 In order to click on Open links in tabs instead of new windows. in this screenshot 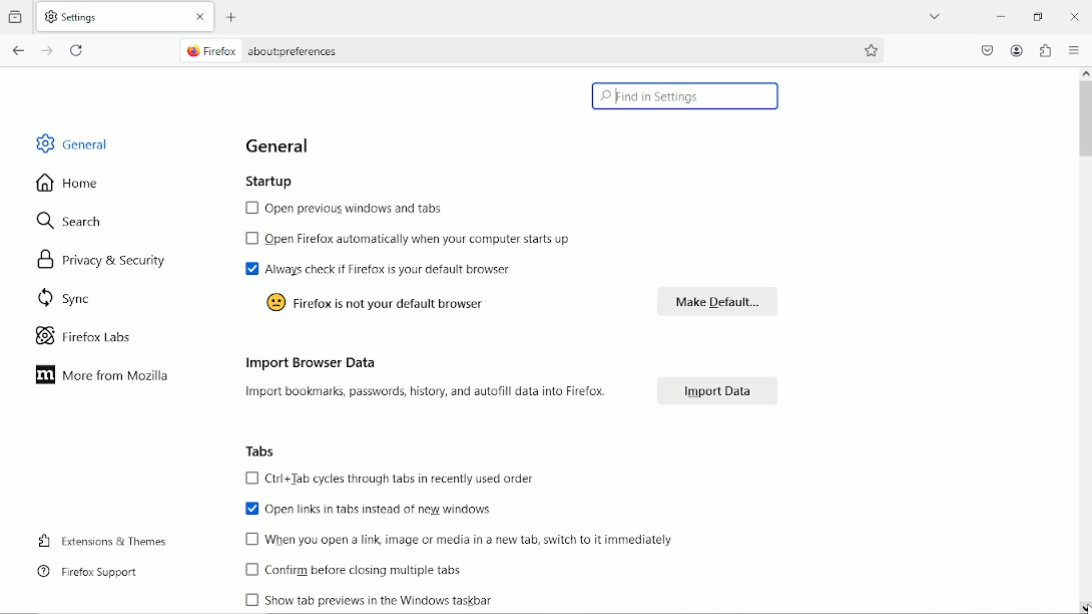, I will do `click(369, 508)`.